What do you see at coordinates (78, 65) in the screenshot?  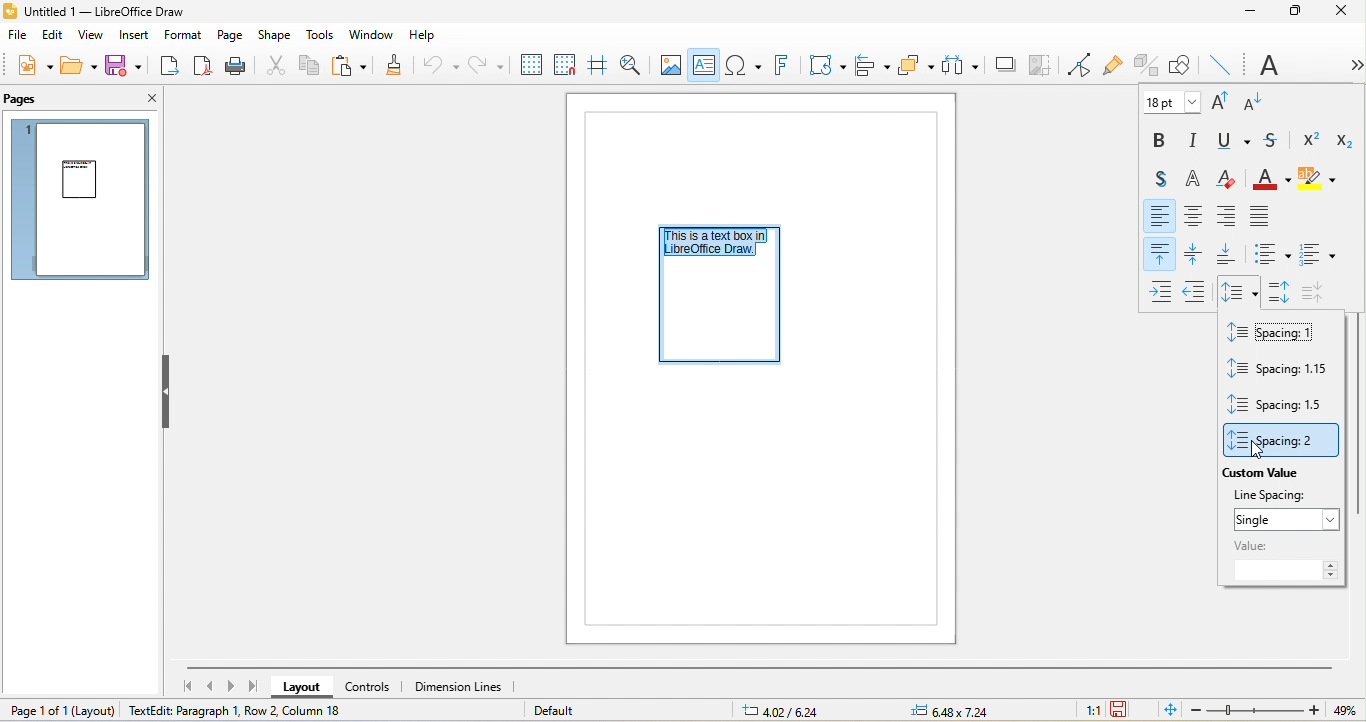 I see `open` at bounding box center [78, 65].